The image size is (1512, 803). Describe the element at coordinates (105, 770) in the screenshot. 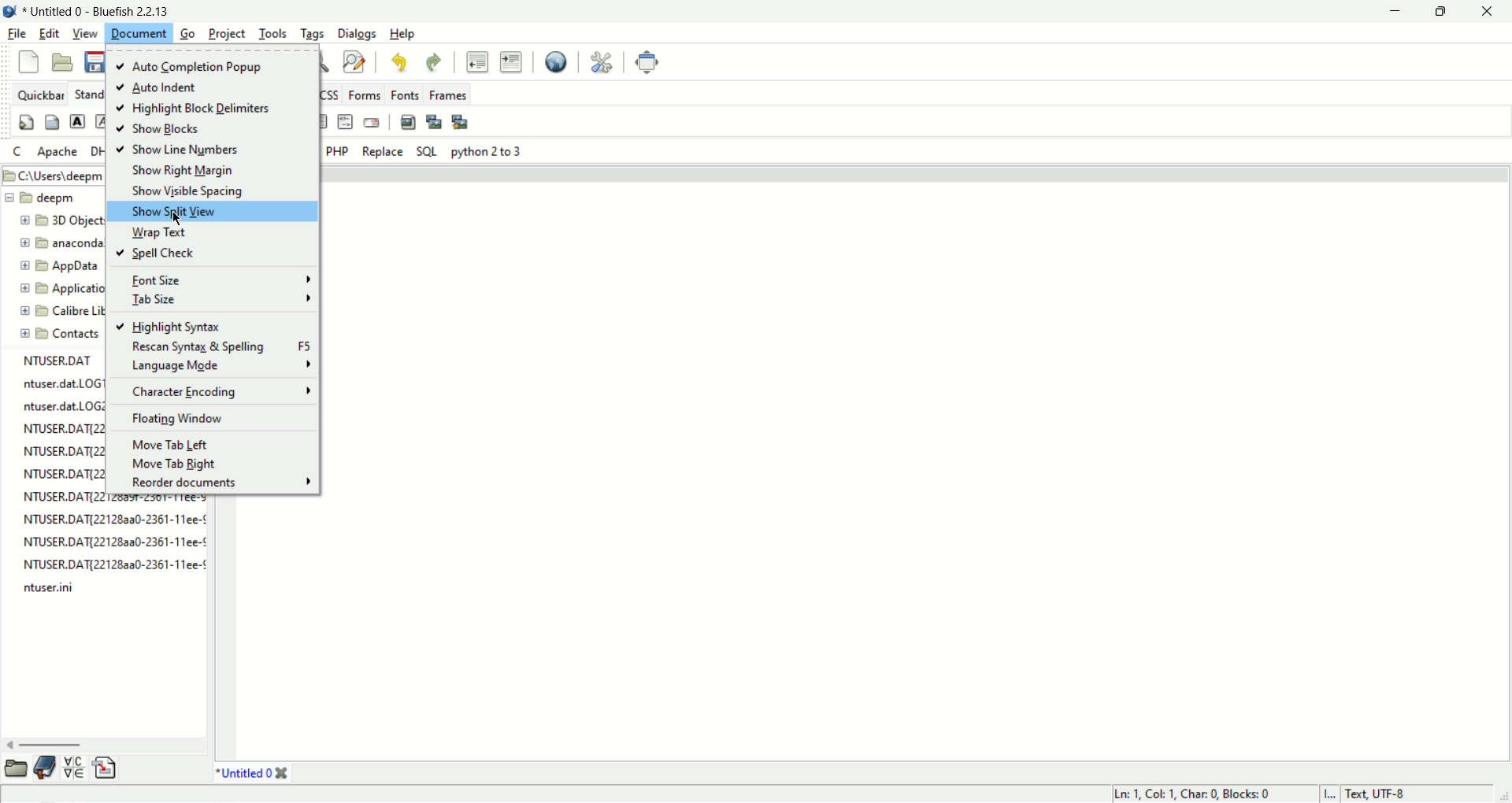

I see `snippets` at that location.